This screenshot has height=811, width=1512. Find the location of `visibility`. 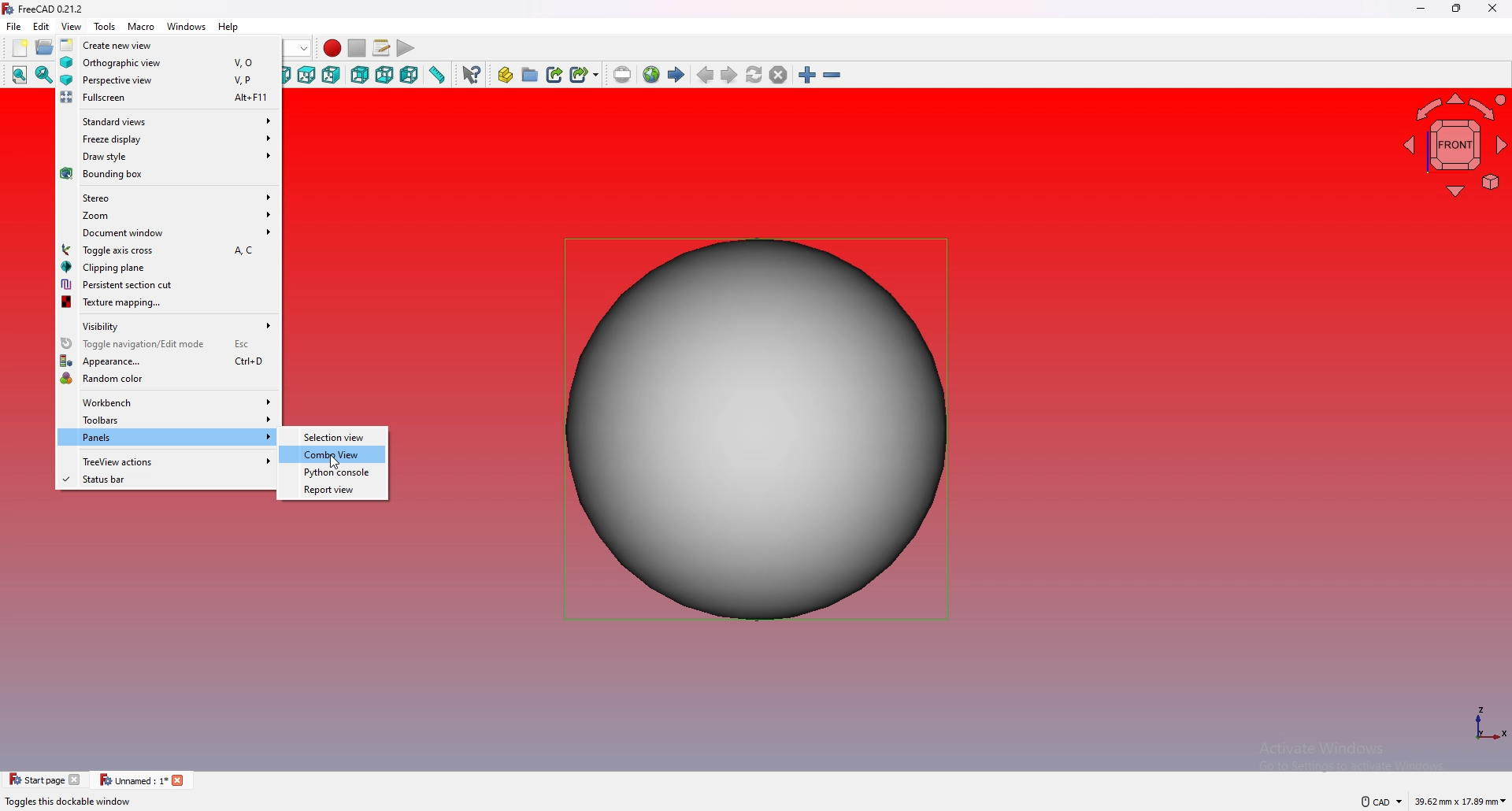

visibility is located at coordinates (168, 324).